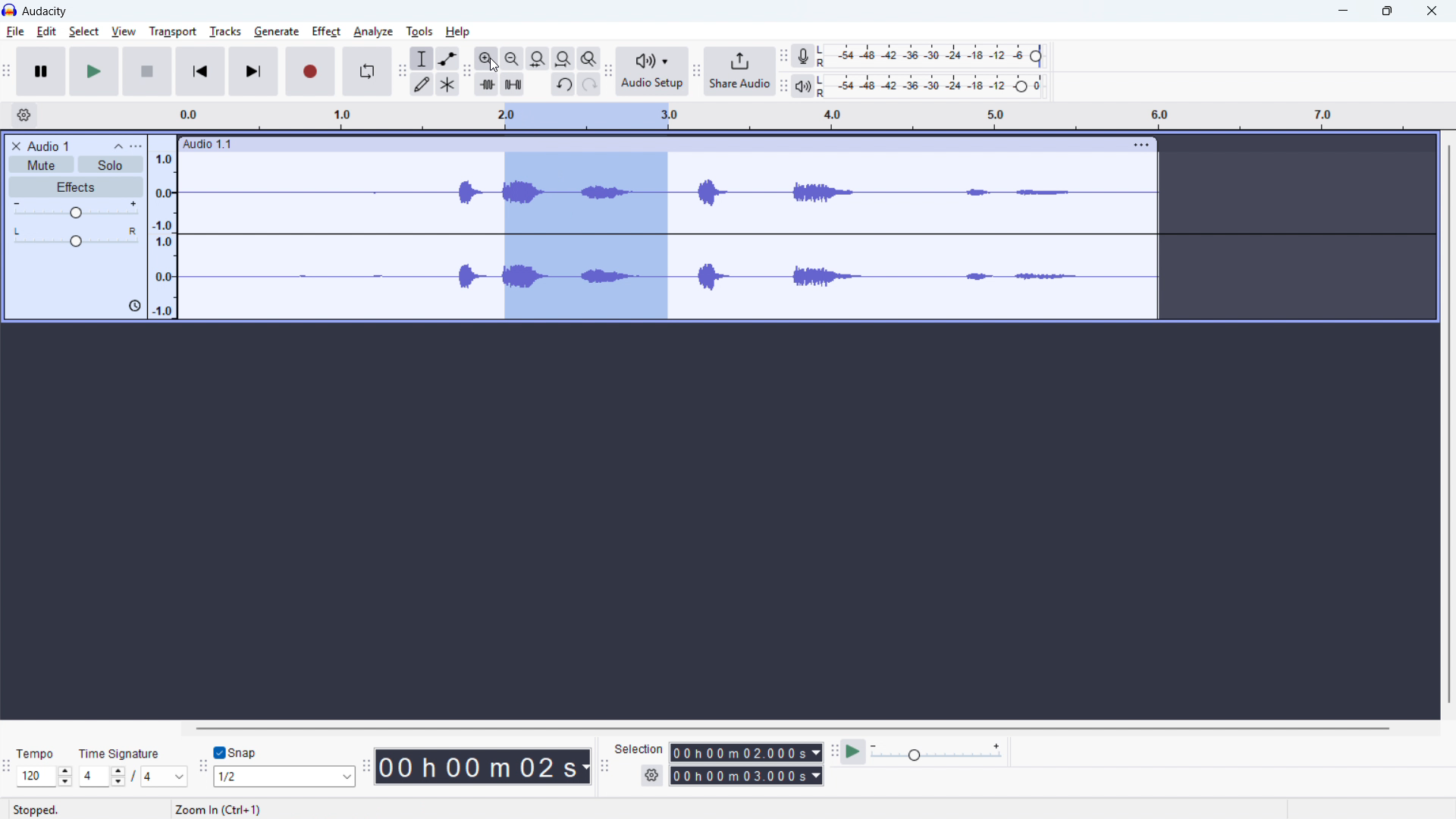 The width and height of the screenshot is (1456, 819). What do you see at coordinates (740, 72) in the screenshot?
I see `Share audio` at bounding box center [740, 72].